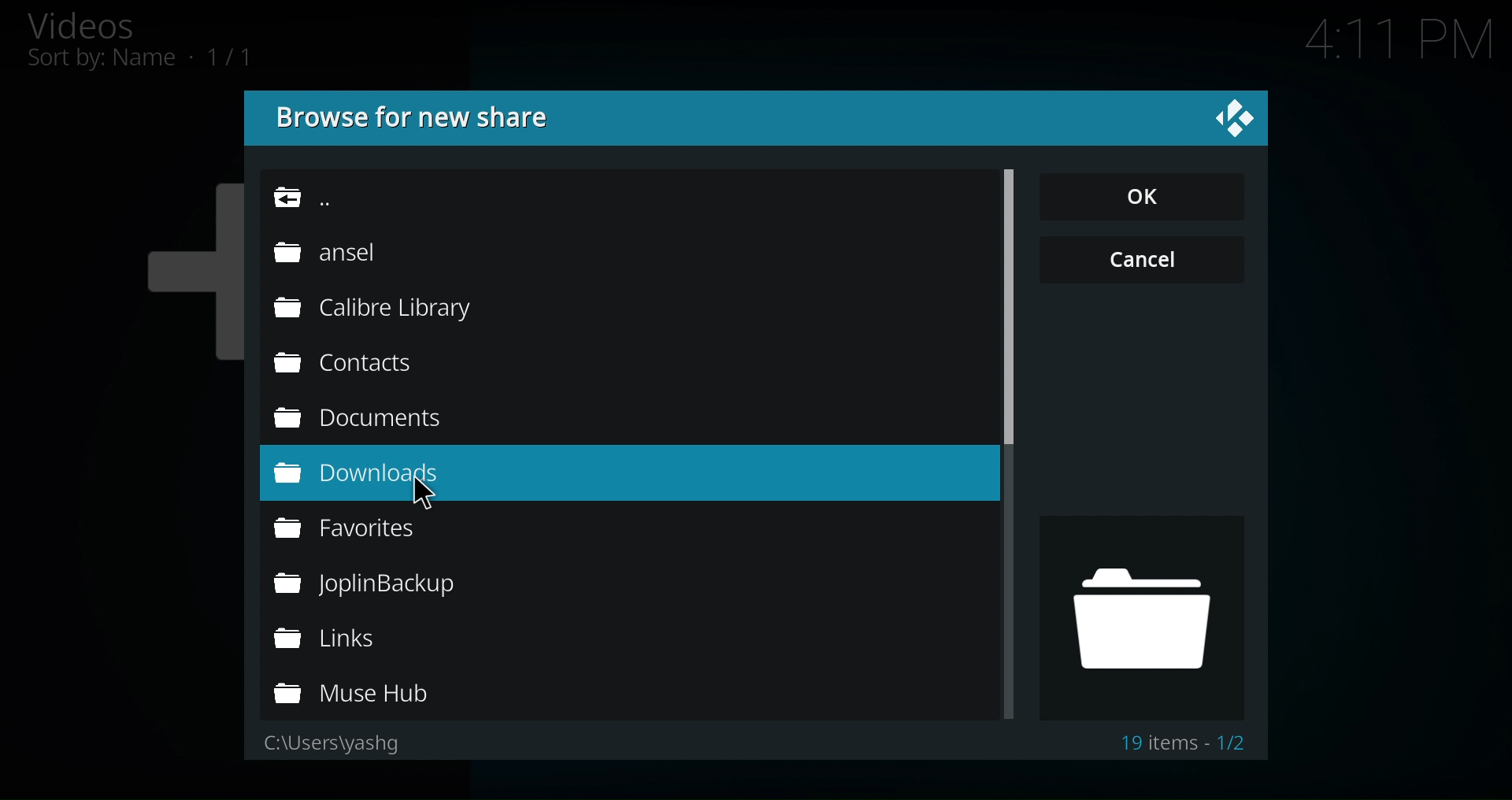 Image resolution: width=1512 pixels, height=800 pixels. Describe the element at coordinates (175, 285) in the screenshot. I see `Plus icon` at that location.